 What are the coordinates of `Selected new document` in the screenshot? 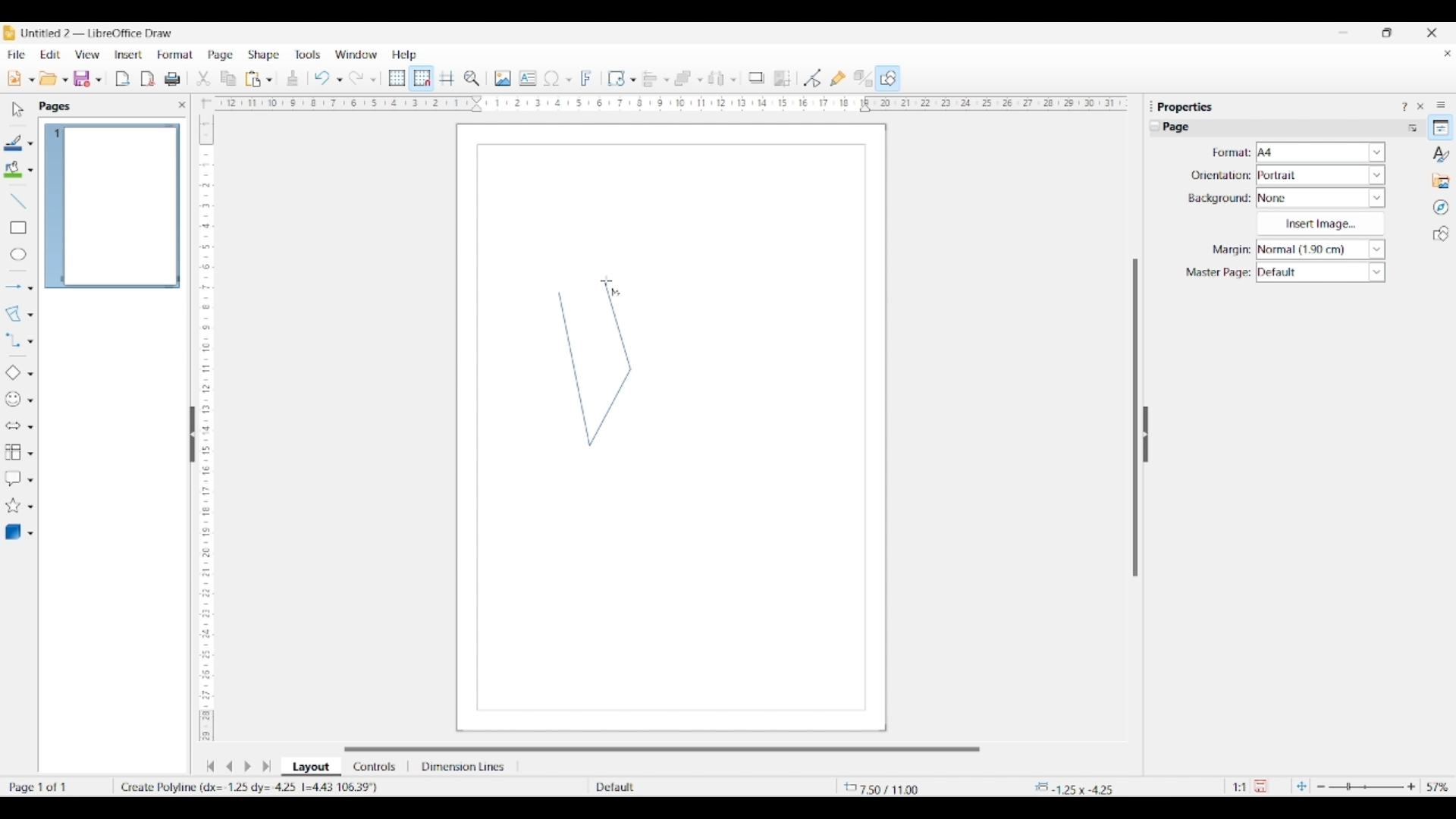 It's located at (14, 78).